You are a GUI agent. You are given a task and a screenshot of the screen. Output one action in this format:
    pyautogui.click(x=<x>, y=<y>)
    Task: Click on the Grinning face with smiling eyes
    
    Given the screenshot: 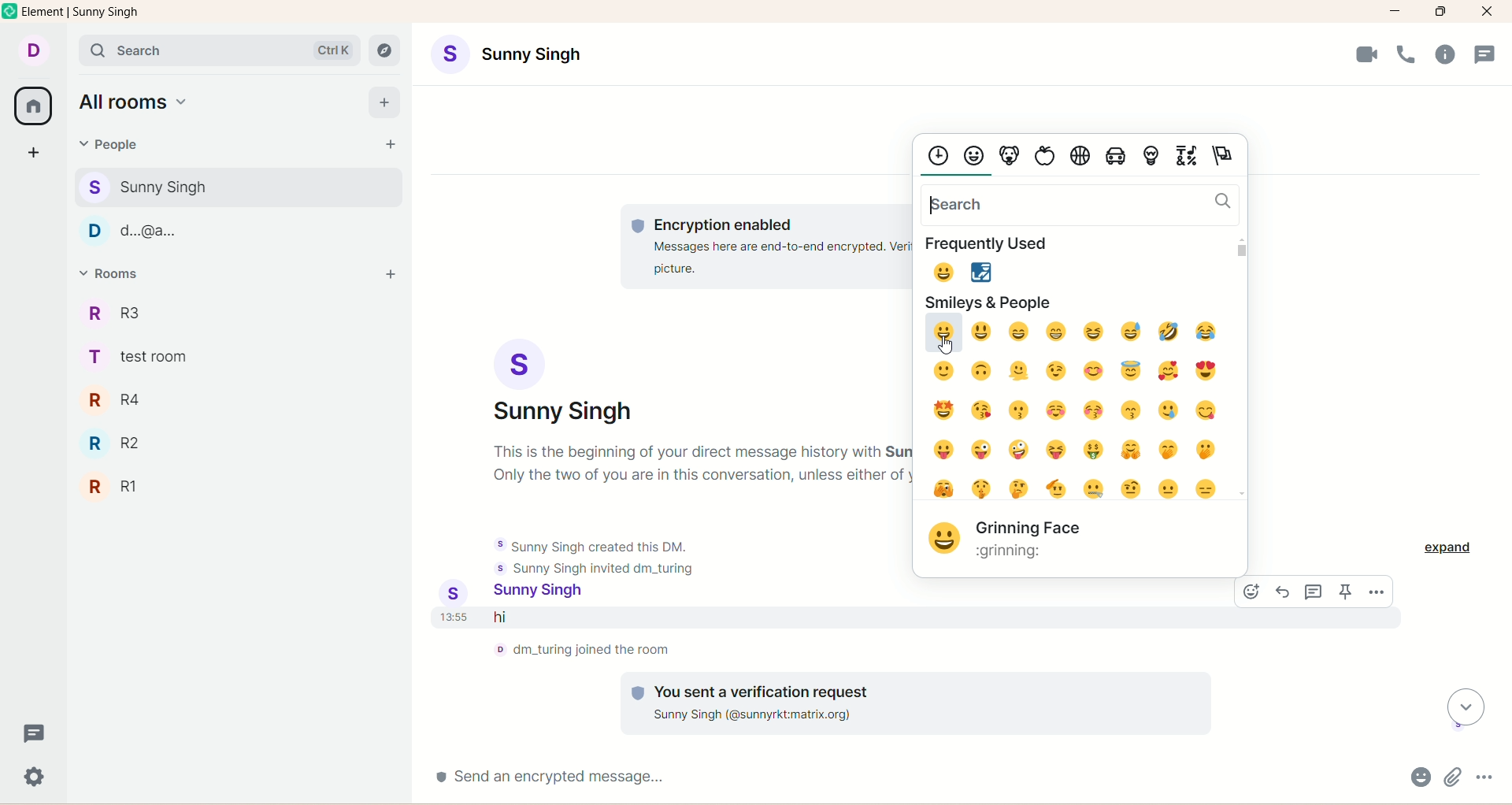 What is the action you would take?
    pyautogui.click(x=1019, y=332)
    